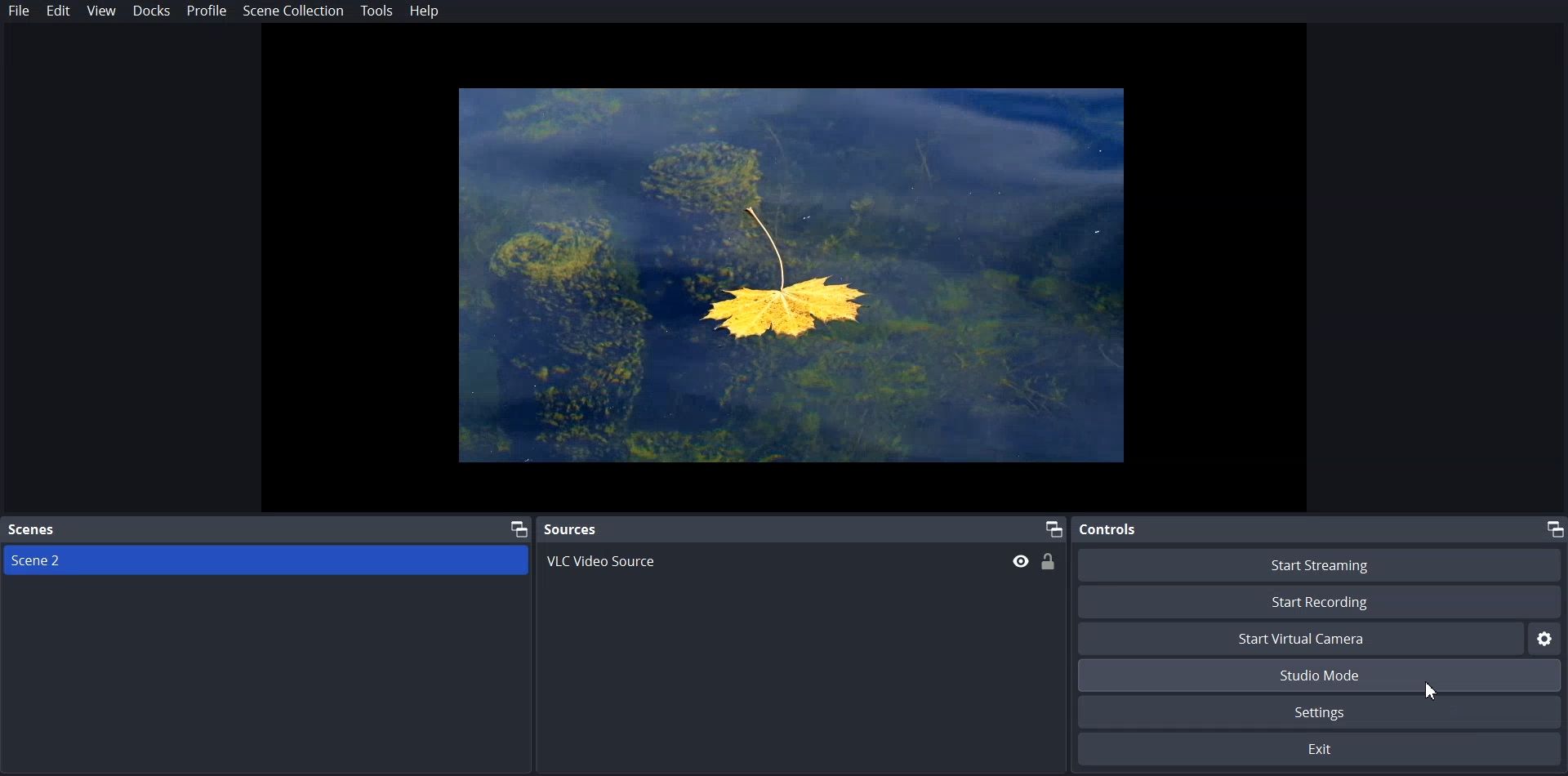 The image size is (1568, 776). I want to click on Start Recording, so click(1320, 601).